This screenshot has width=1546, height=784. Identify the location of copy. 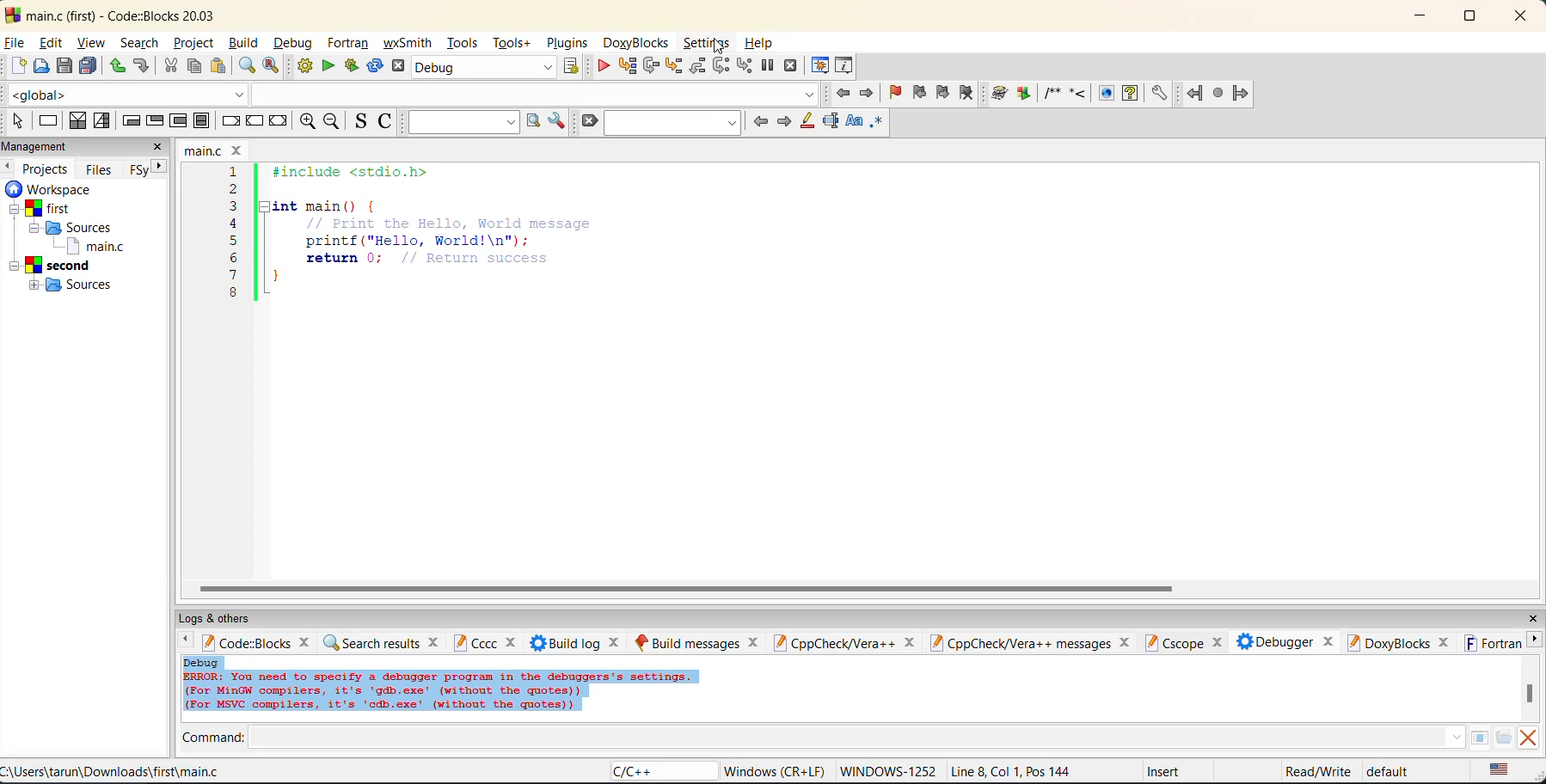
(196, 67).